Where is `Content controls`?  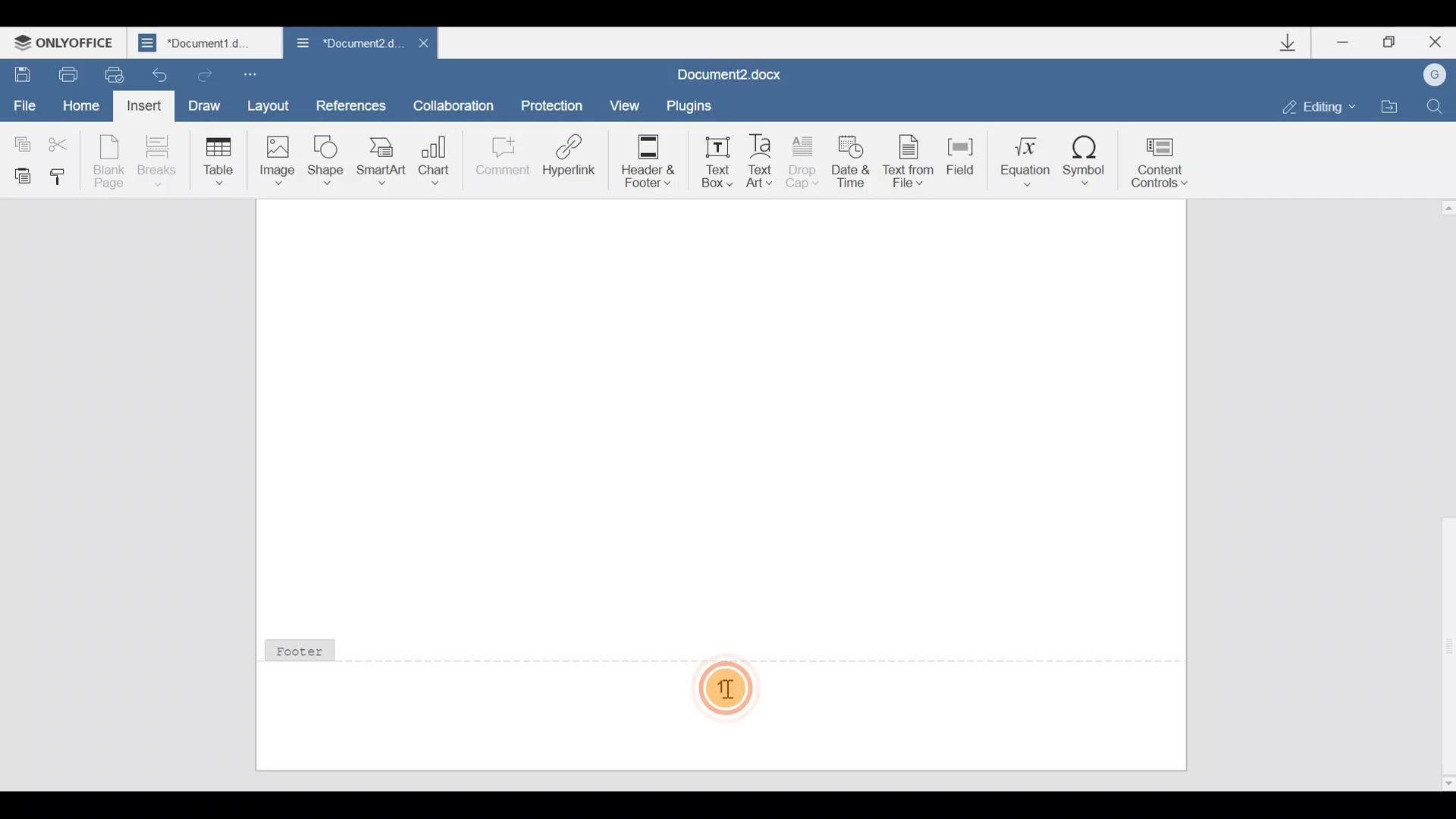
Content controls is located at coordinates (1168, 158).